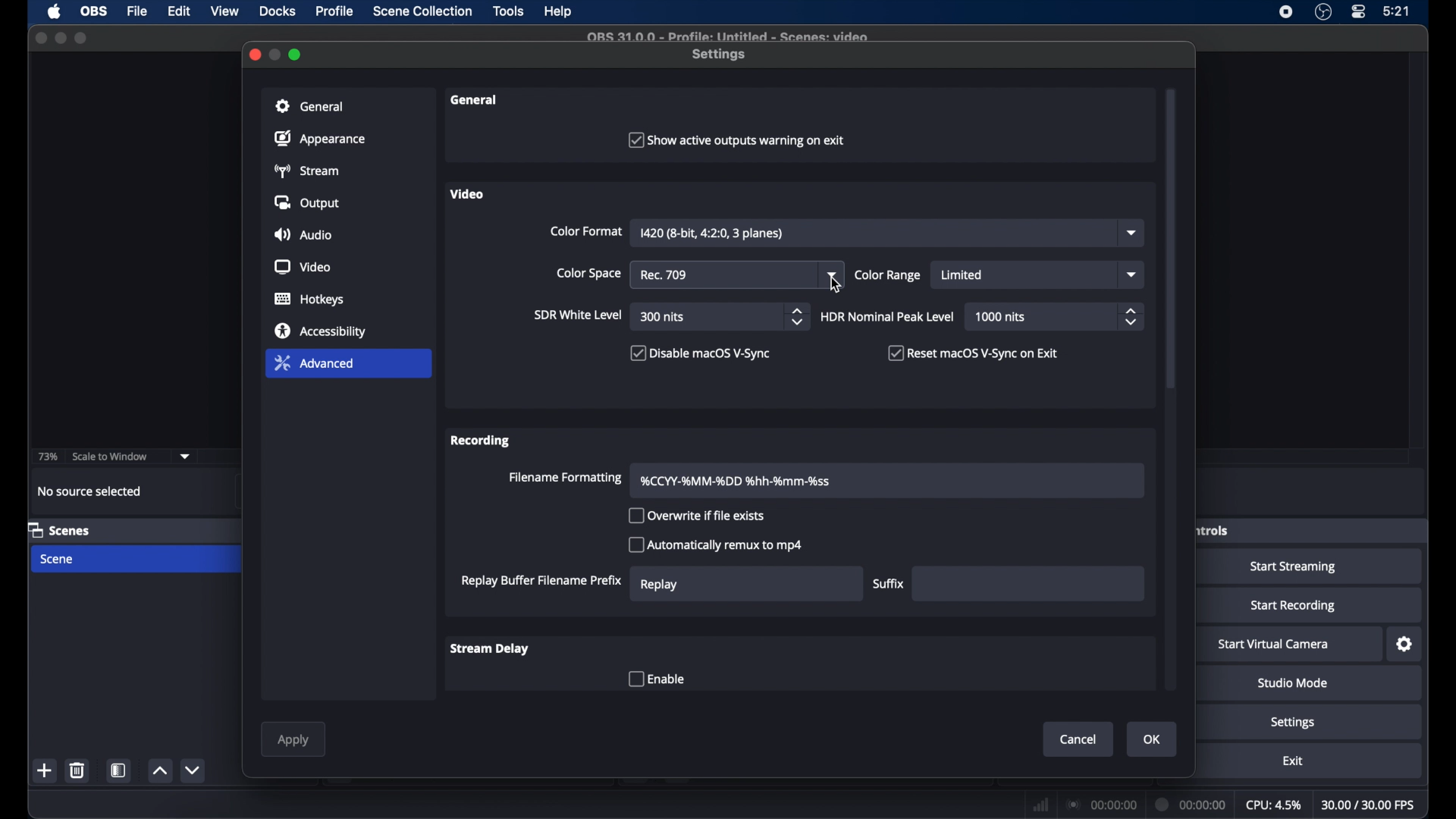 The image size is (1456, 819). Describe the element at coordinates (664, 275) in the screenshot. I see `rec 709` at that location.